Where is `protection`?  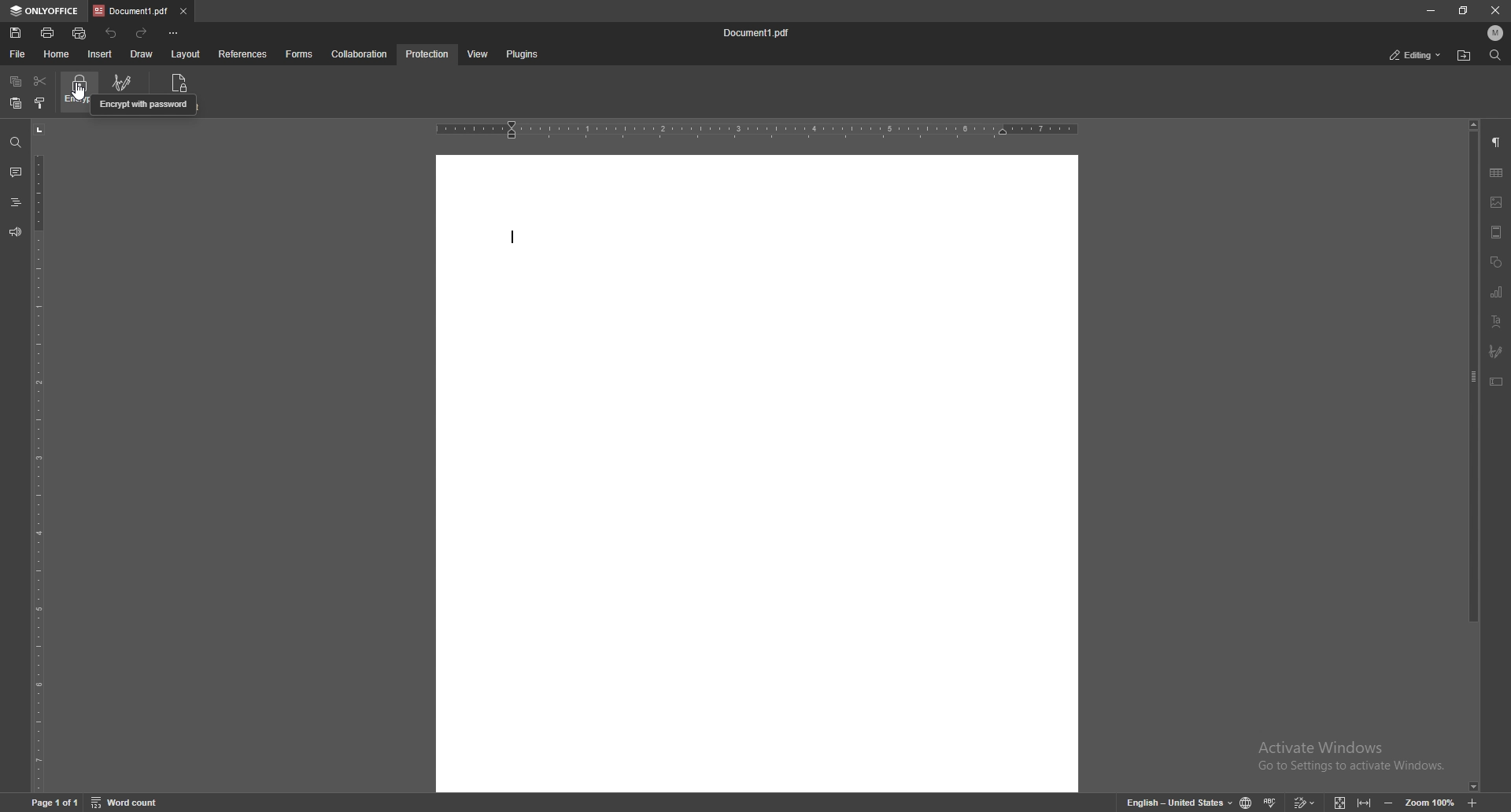
protection is located at coordinates (428, 54).